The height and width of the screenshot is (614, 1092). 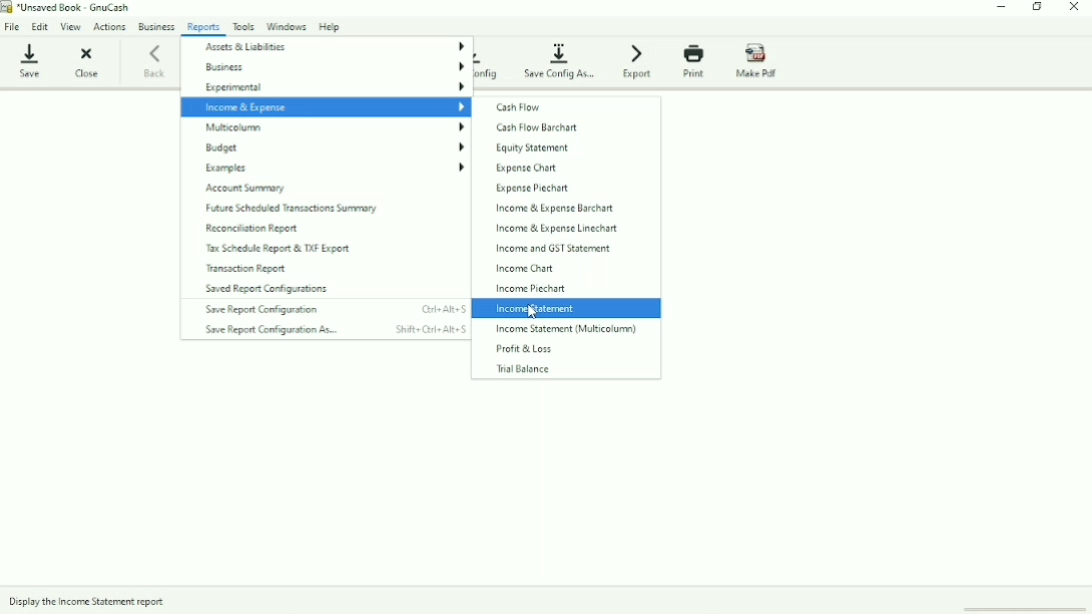 I want to click on Close, so click(x=1074, y=8).